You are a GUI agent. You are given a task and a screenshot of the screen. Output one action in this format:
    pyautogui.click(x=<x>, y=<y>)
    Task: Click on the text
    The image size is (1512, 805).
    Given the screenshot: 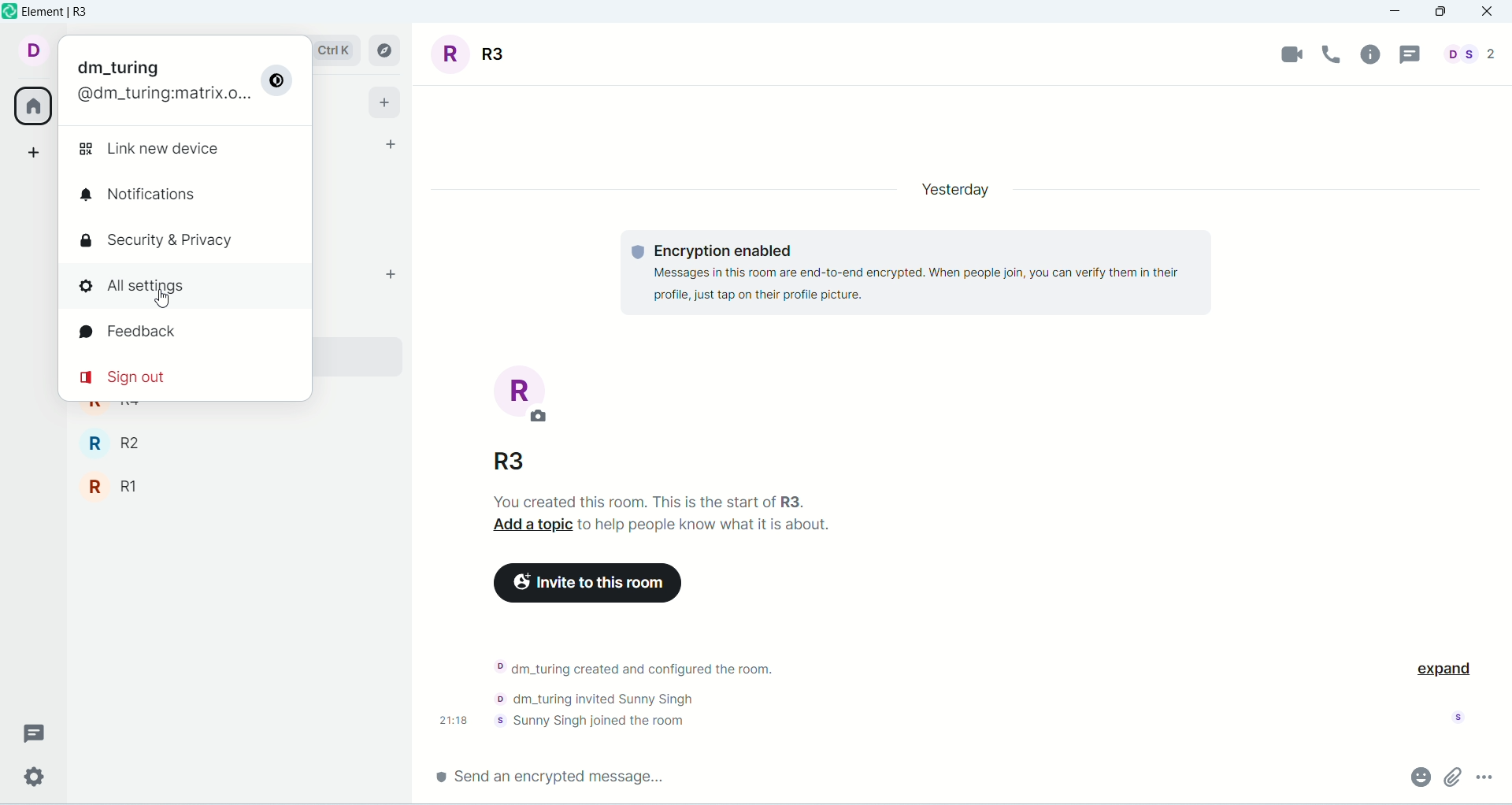 What is the action you would take?
    pyautogui.click(x=644, y=693)
    